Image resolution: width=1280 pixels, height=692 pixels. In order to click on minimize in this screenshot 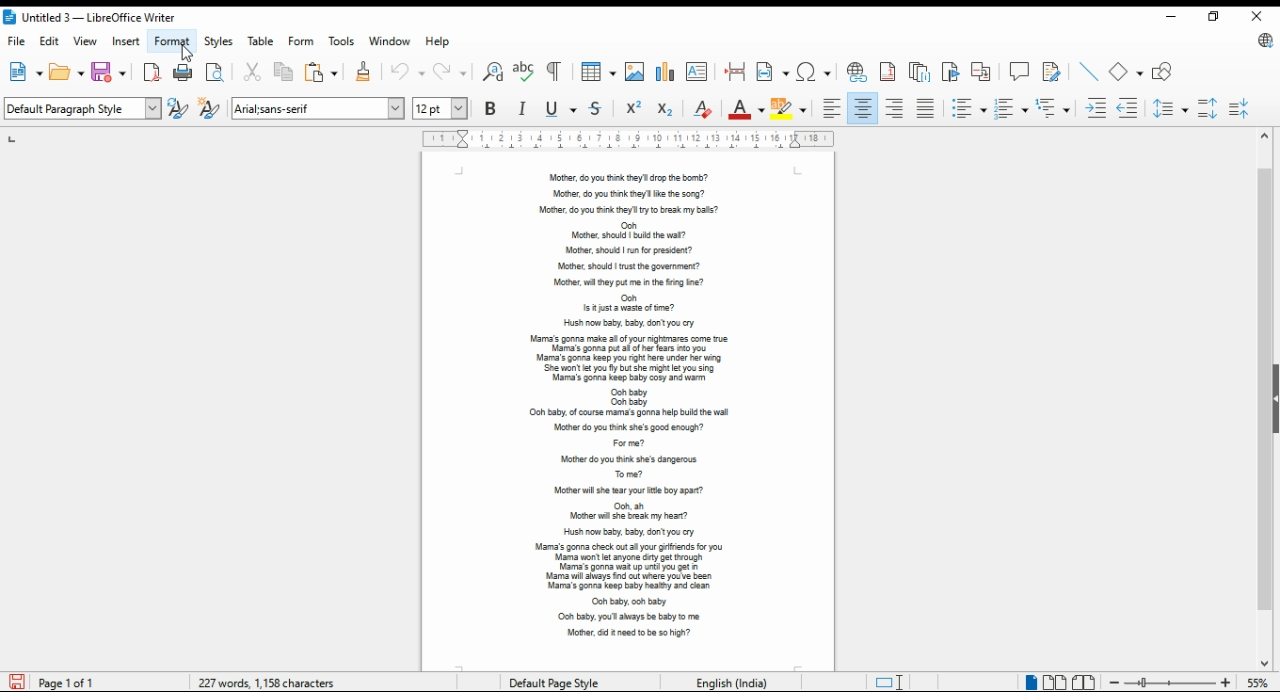, I will do `click(1173, 16)`.